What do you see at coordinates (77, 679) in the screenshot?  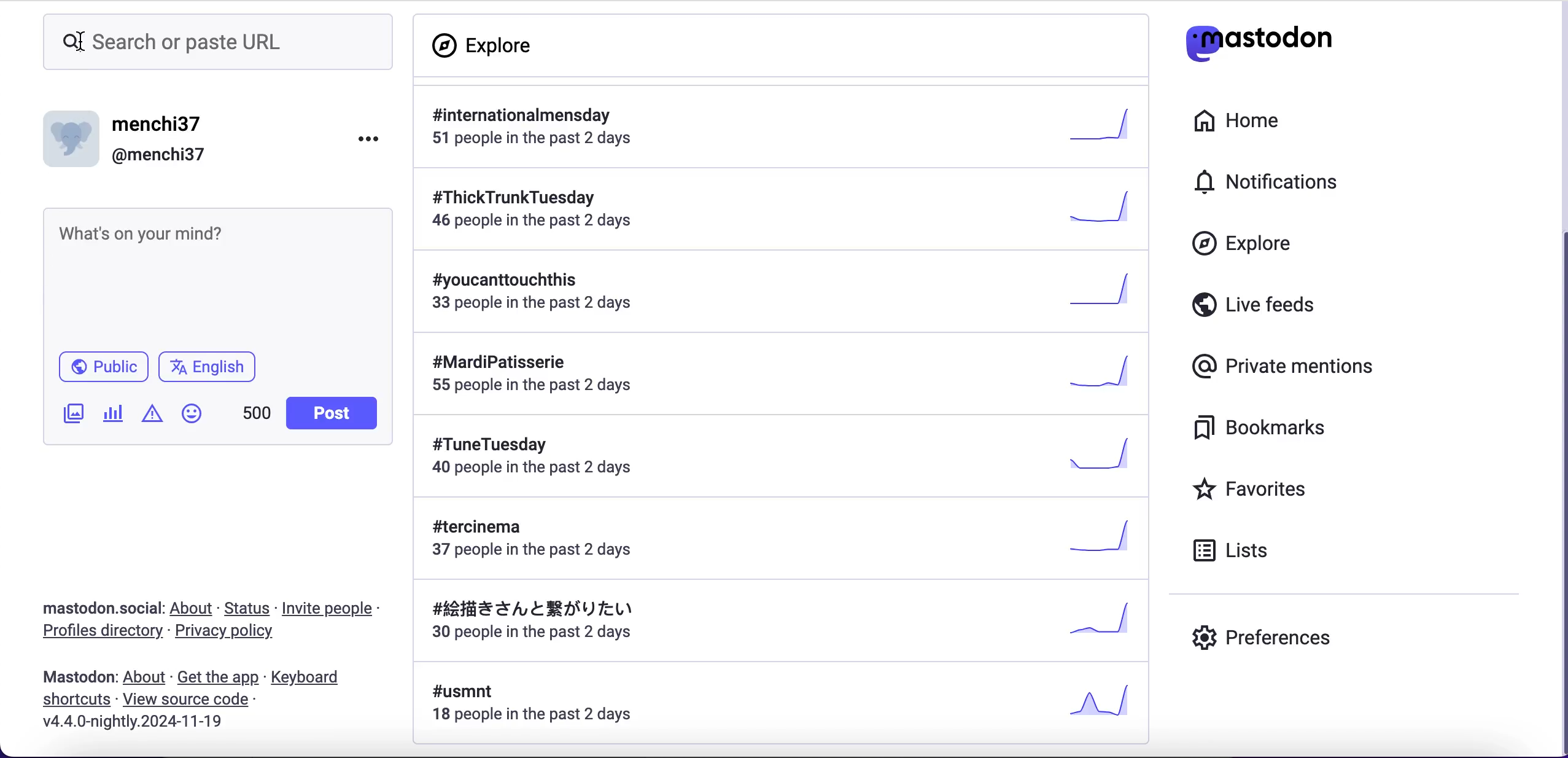 I see `mastodon` at bounding box center [77, 679].